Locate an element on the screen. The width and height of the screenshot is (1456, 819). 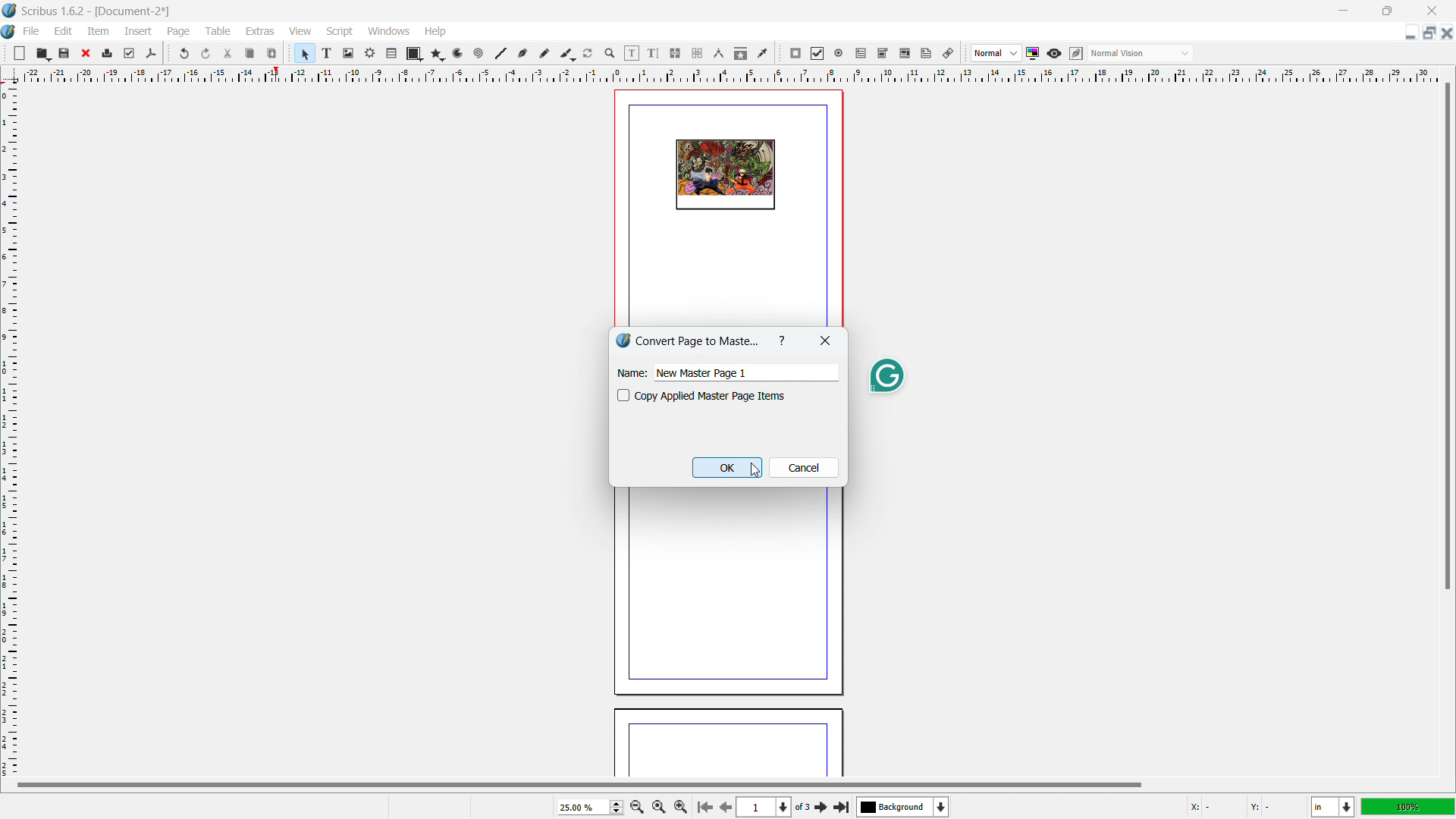
Name is located at coordinates (631, 372).